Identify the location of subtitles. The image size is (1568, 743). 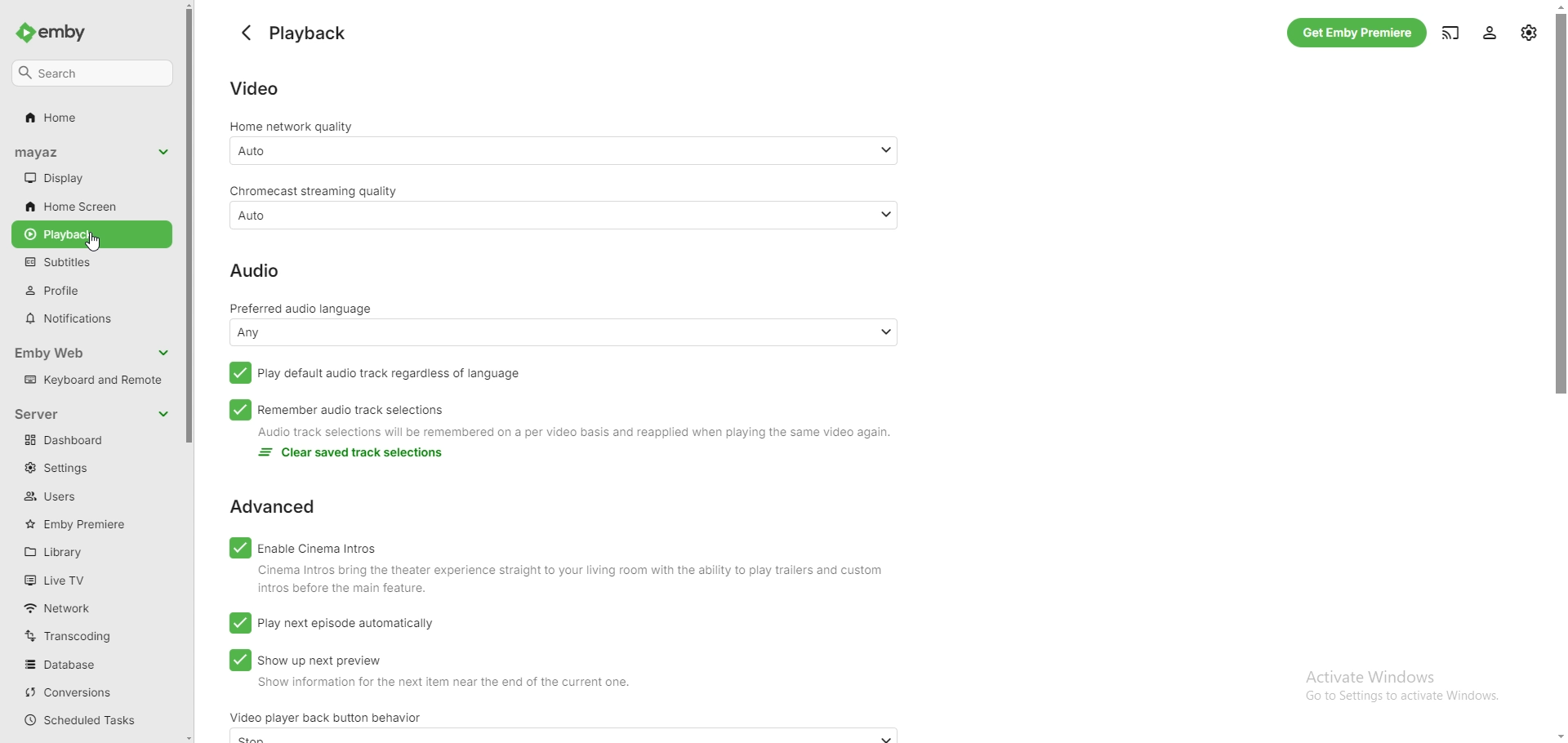
(88, 262).